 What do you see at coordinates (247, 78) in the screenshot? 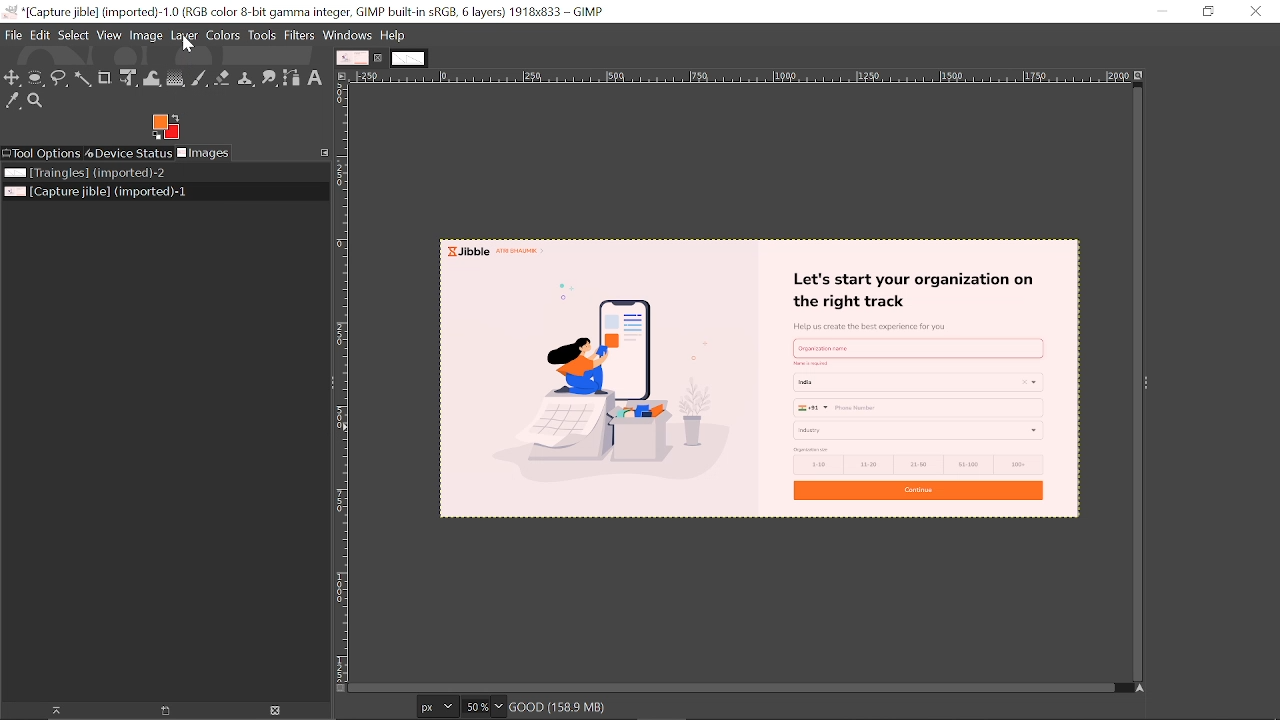
I see `Clone tool` at bounding box center [247, 78].